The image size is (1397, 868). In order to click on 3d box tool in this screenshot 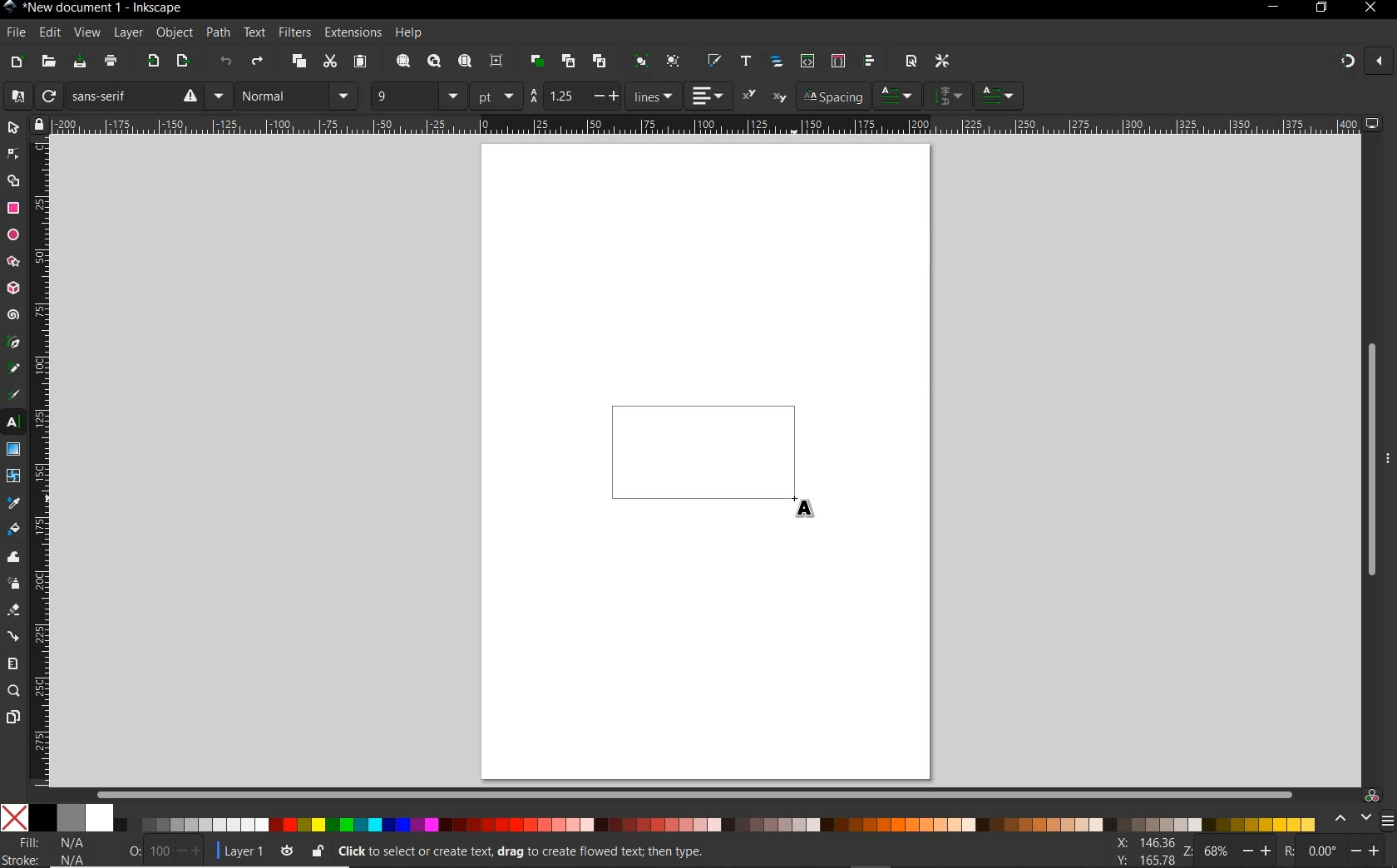, I will do `click(13, 290)`.